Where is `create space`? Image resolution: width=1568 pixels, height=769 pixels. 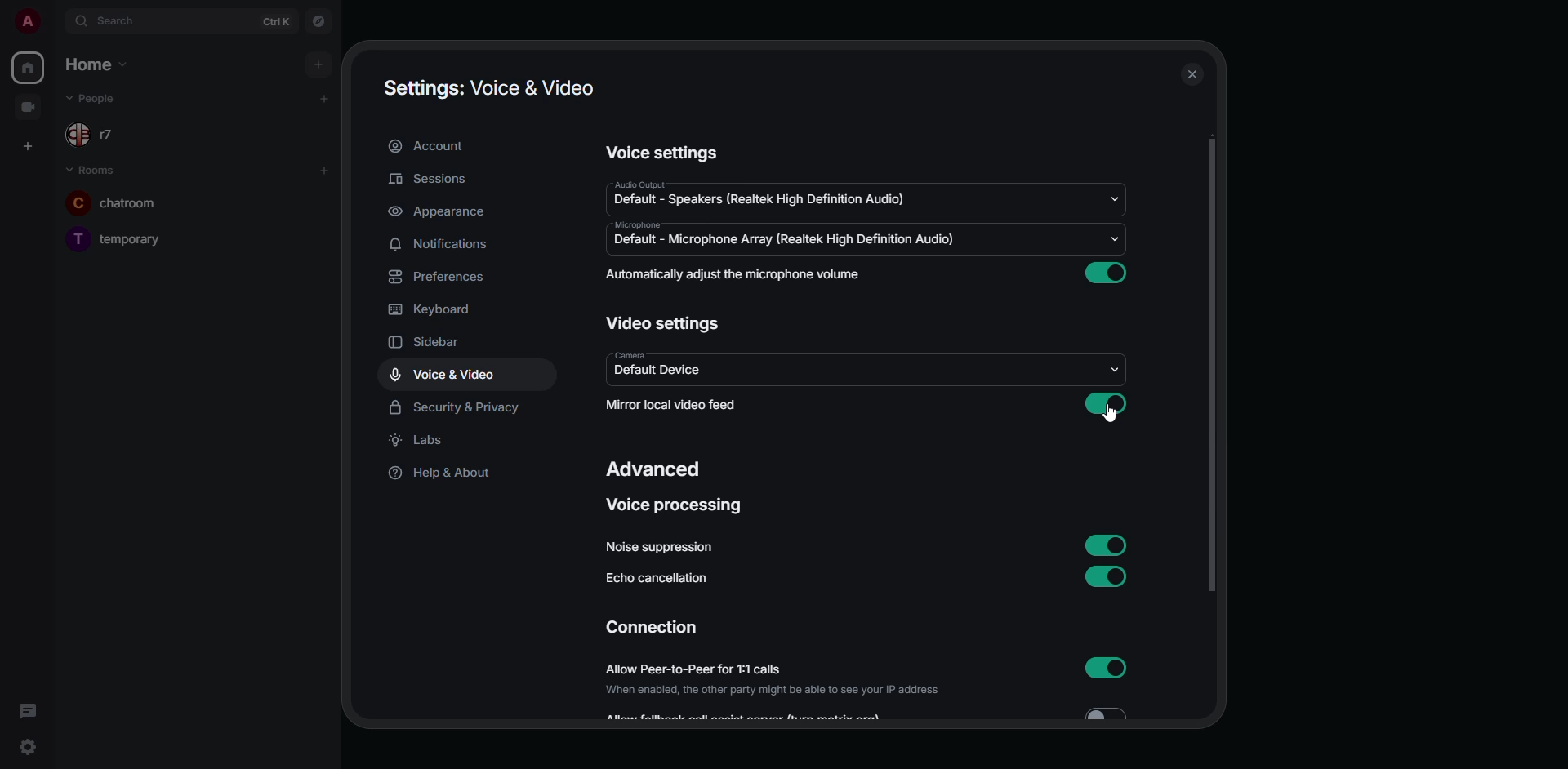 create space is located at coordinates (30, 145).